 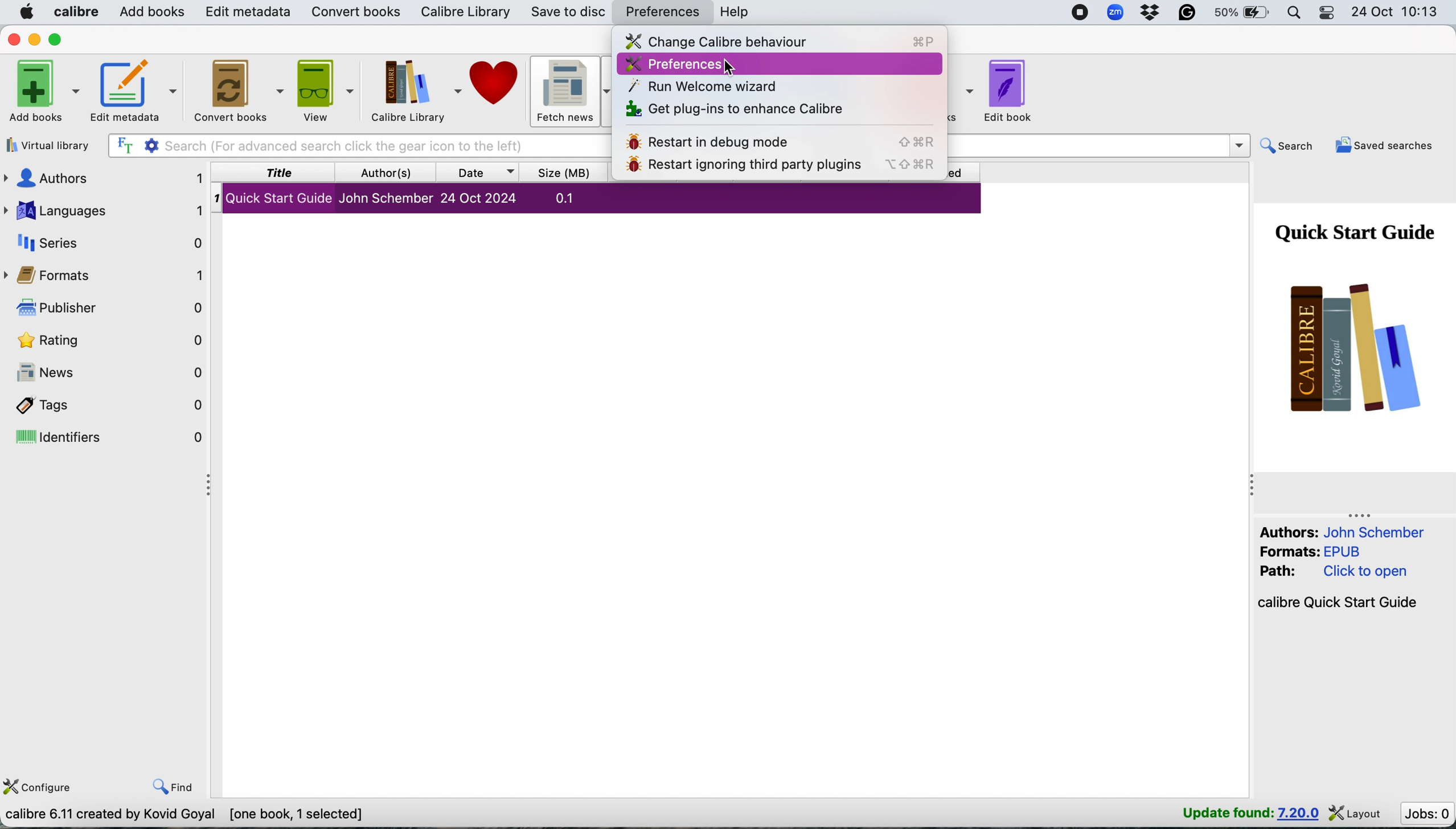 What do you see at coordinates (124, 146) in the screenshot?
I see `full text` at bounding box center [124, 146].